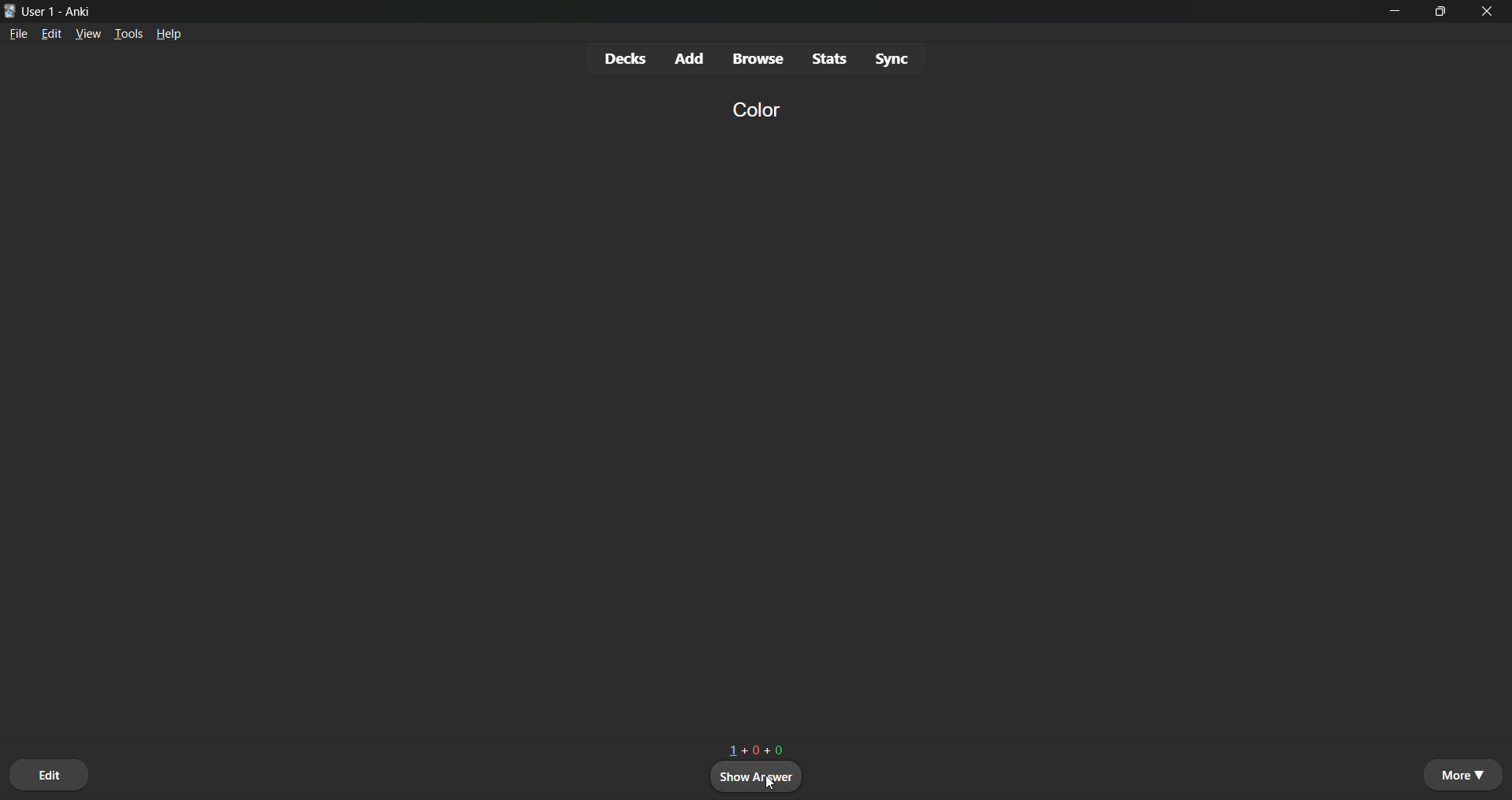  I want to click on file, so click(18, 37).